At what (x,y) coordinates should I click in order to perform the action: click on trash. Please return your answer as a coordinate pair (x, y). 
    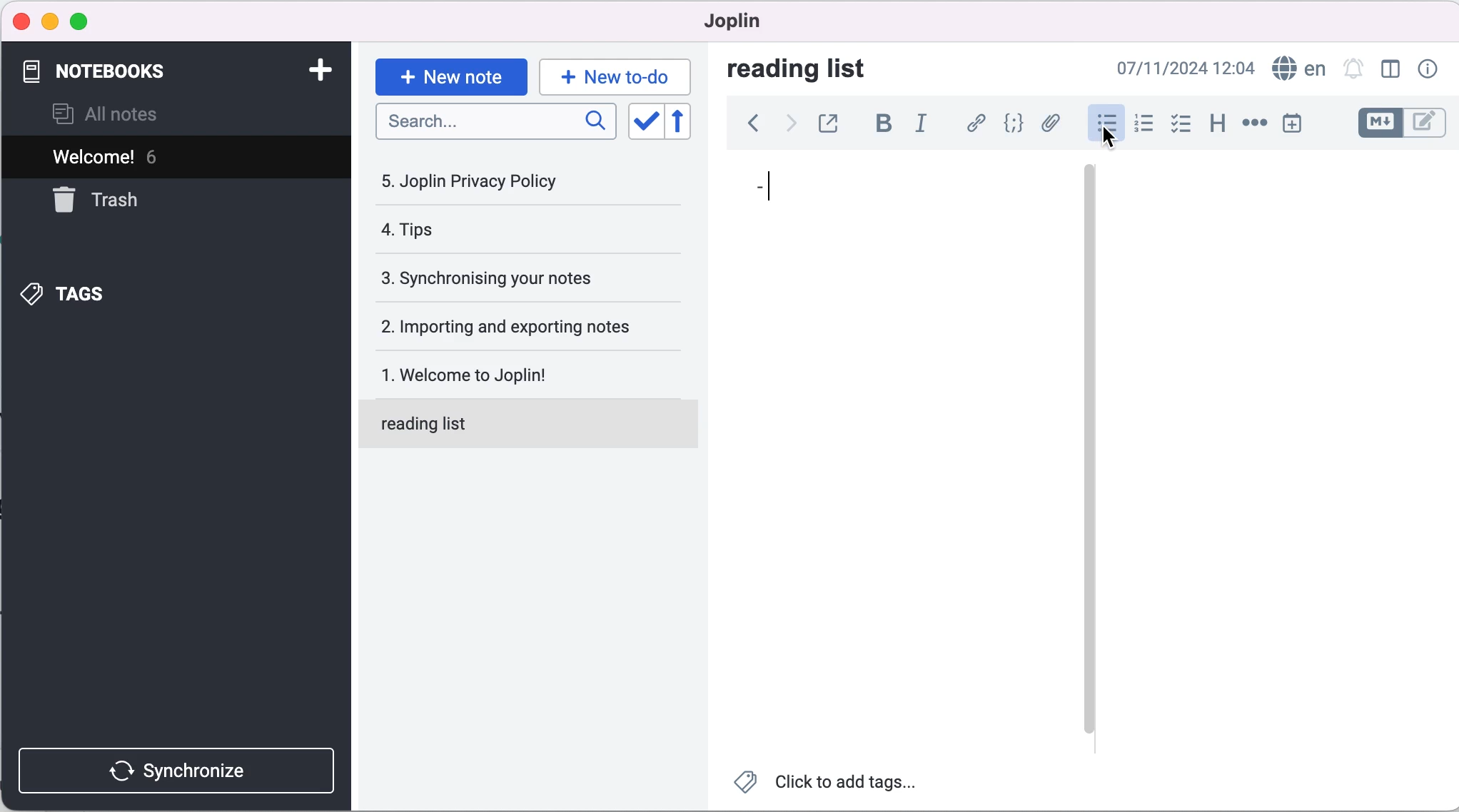
    Looking at the image, I should click on (111, 206).